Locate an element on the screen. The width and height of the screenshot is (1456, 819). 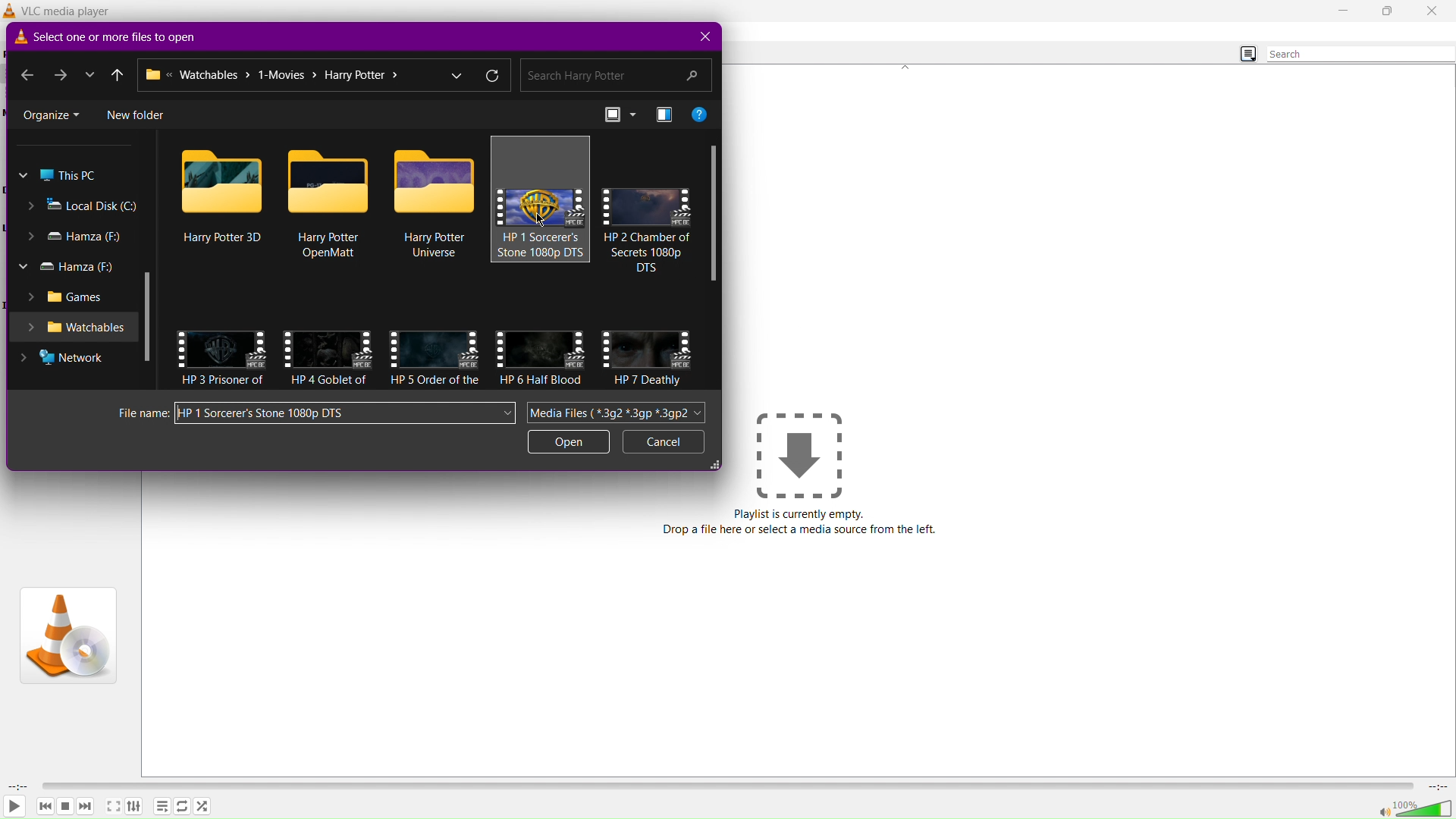
dropdown is located at coordinates (458, 74).